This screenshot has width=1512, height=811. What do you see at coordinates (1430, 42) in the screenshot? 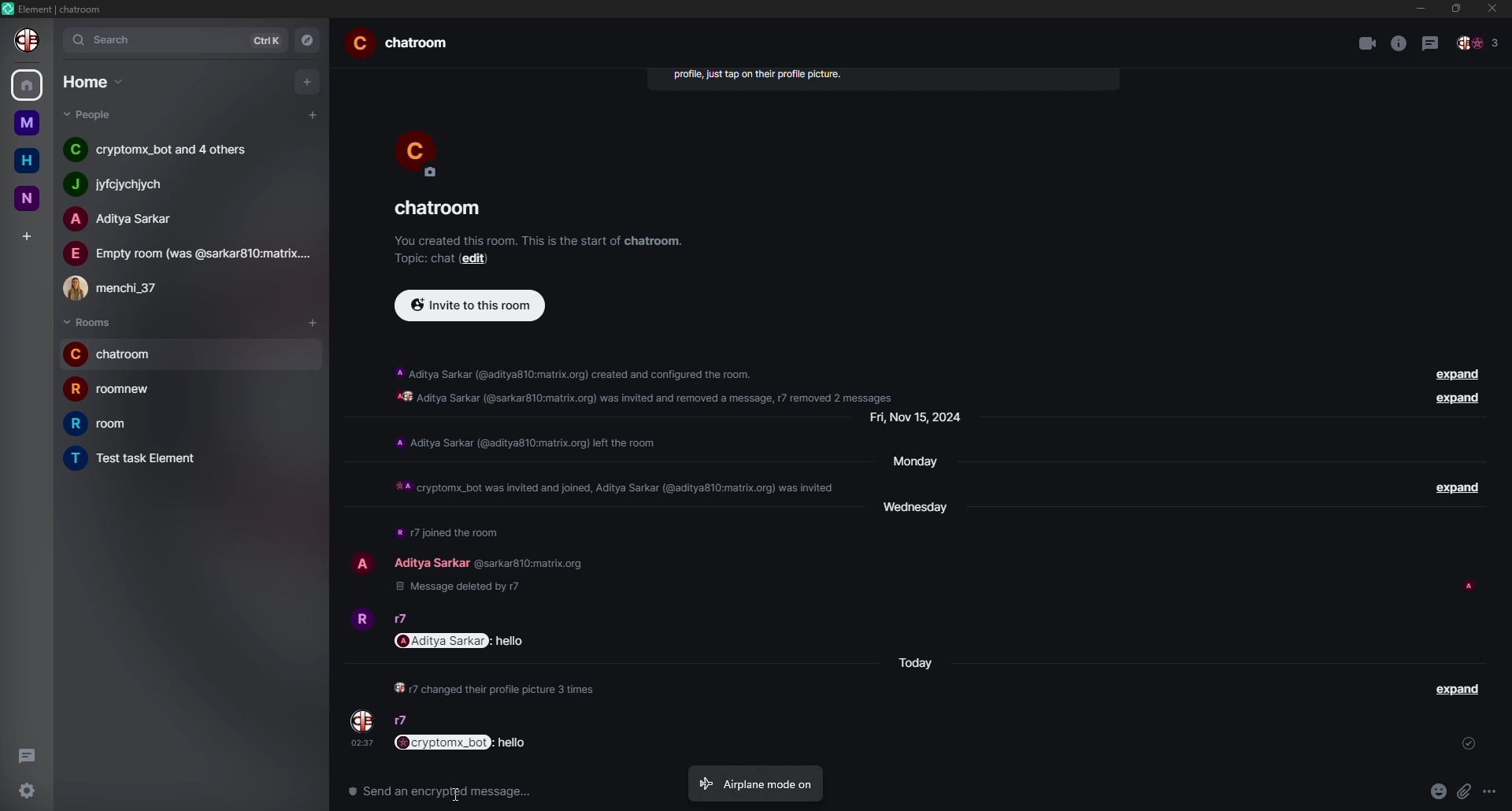
I see `threads` at bounding box center [1430, 42].